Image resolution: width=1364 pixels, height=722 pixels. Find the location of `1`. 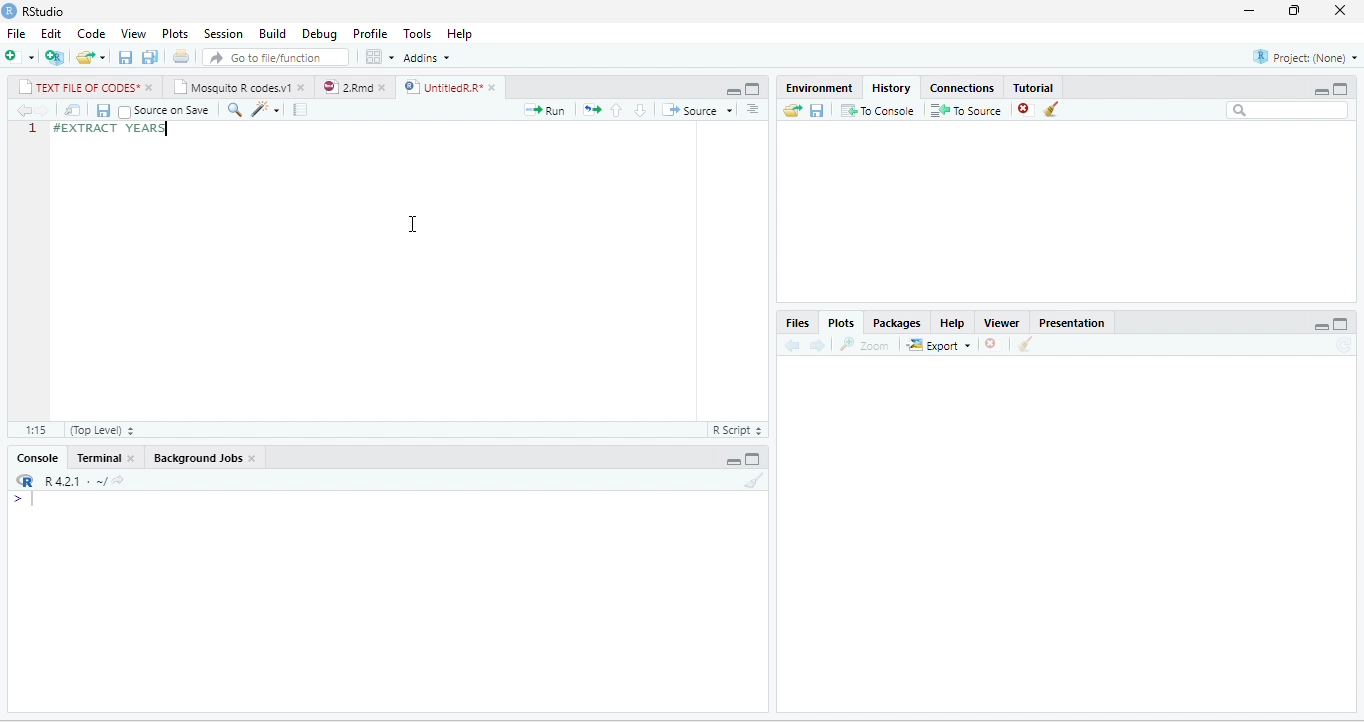

1 is located at coordinates (31, 128).